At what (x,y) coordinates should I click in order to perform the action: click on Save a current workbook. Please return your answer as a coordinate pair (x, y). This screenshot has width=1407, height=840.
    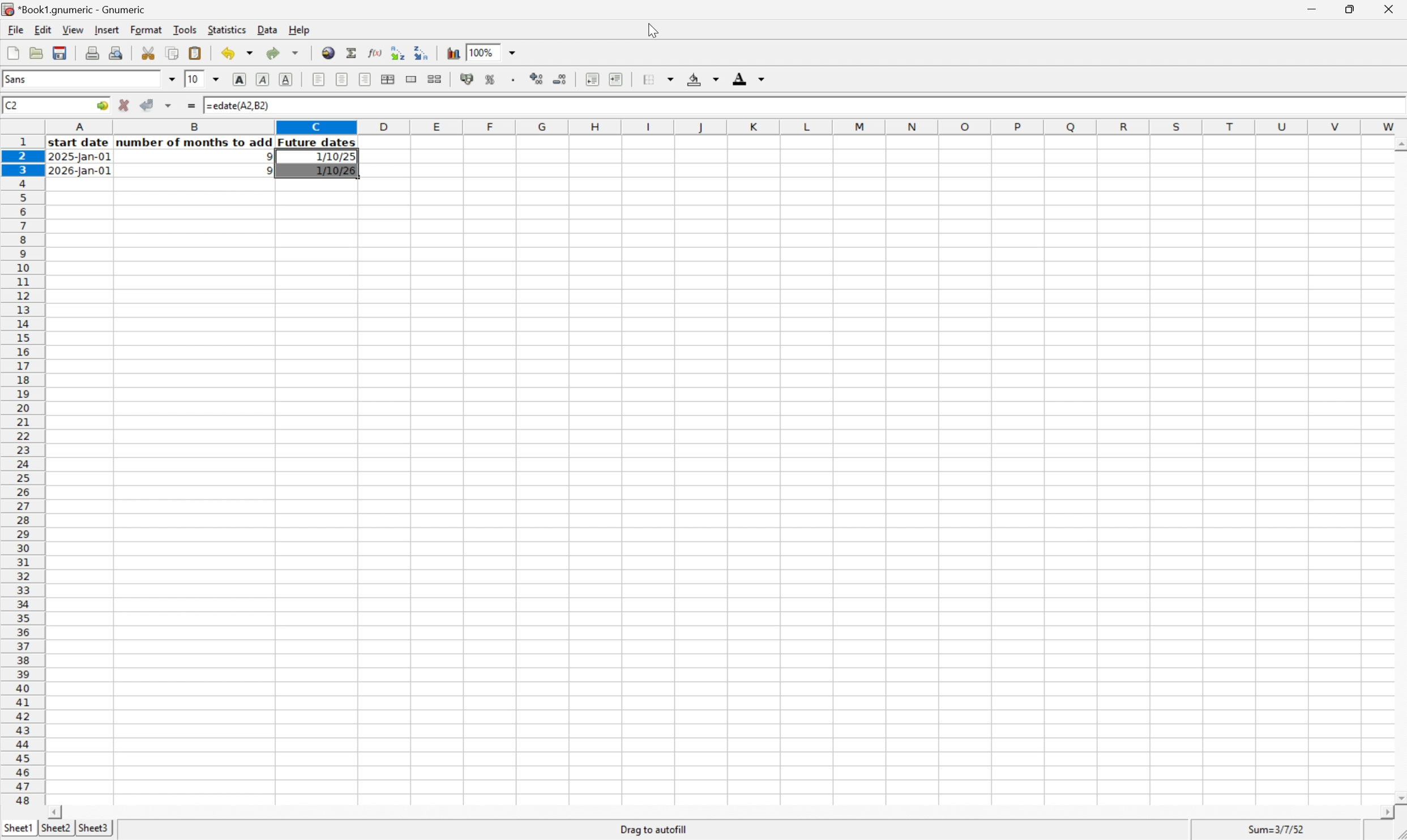
    Looking at the image, I should click on (62, 53).